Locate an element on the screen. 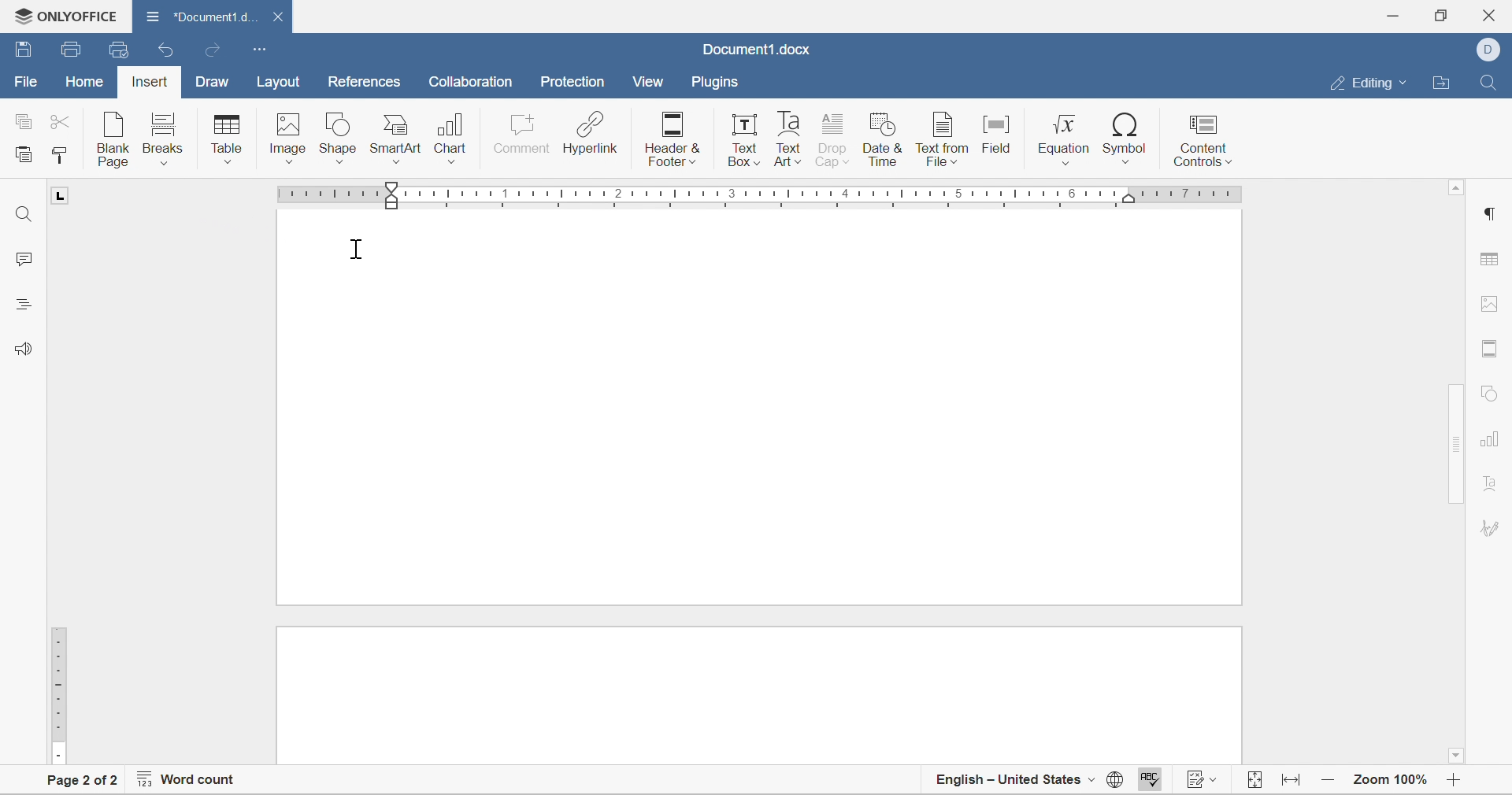 The height and width of the screenshot is (795, 1512). Hyperlink is located at coordinates (590, 135).